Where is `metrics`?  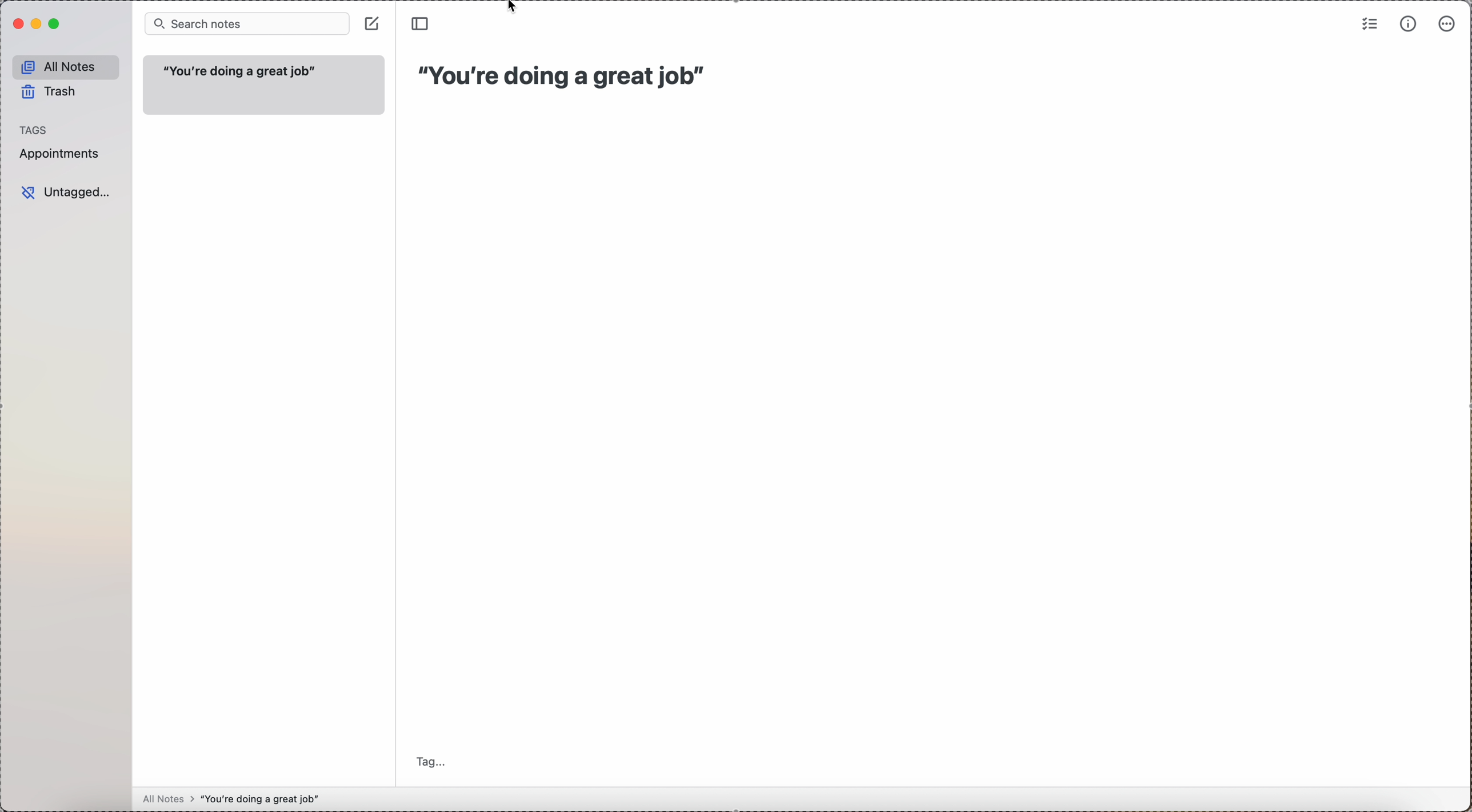
metrics is located at coordinates (1409, 23).